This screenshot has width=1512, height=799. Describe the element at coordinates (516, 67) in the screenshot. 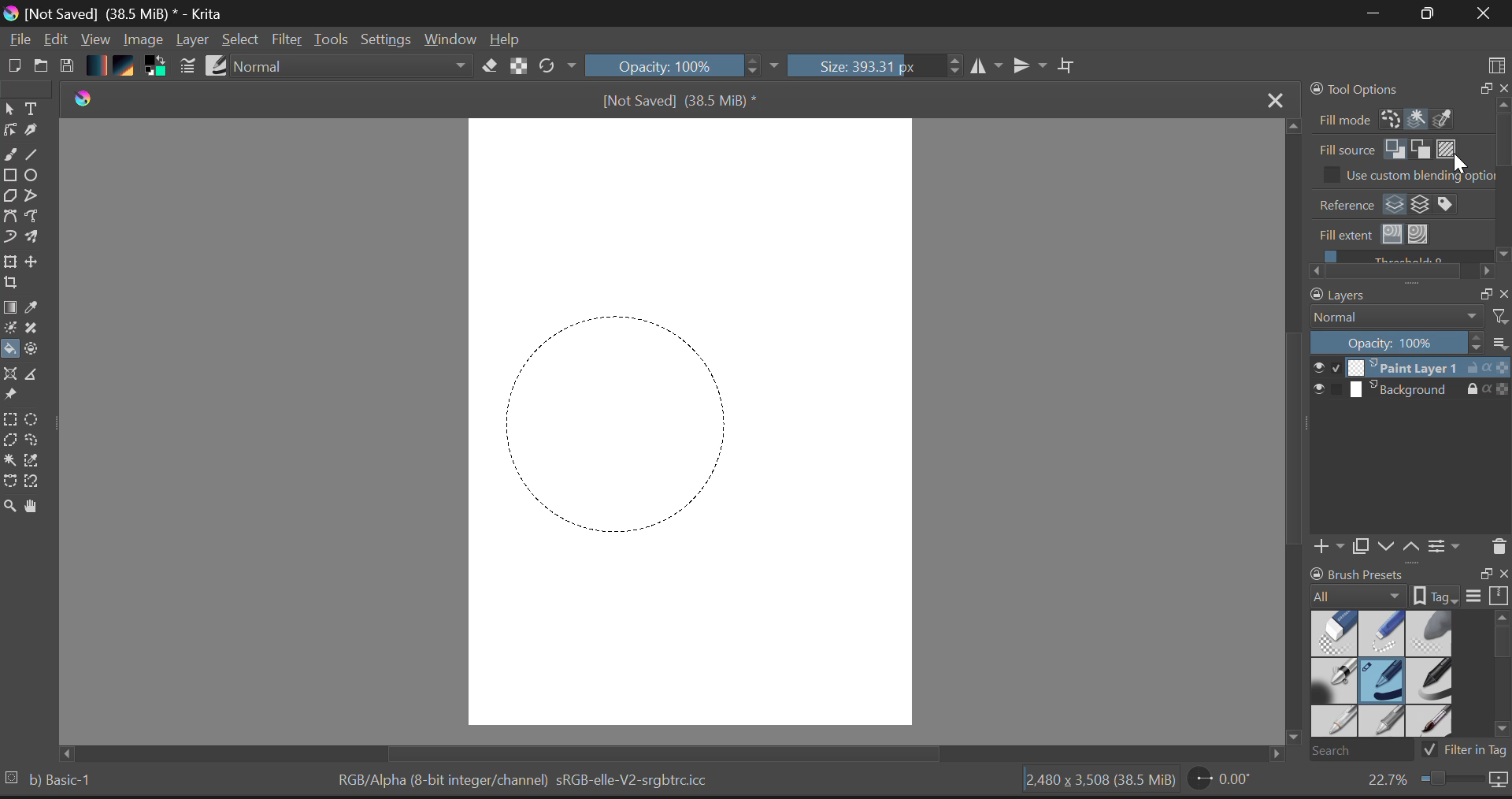

I see `Lock Alpha` at that location.